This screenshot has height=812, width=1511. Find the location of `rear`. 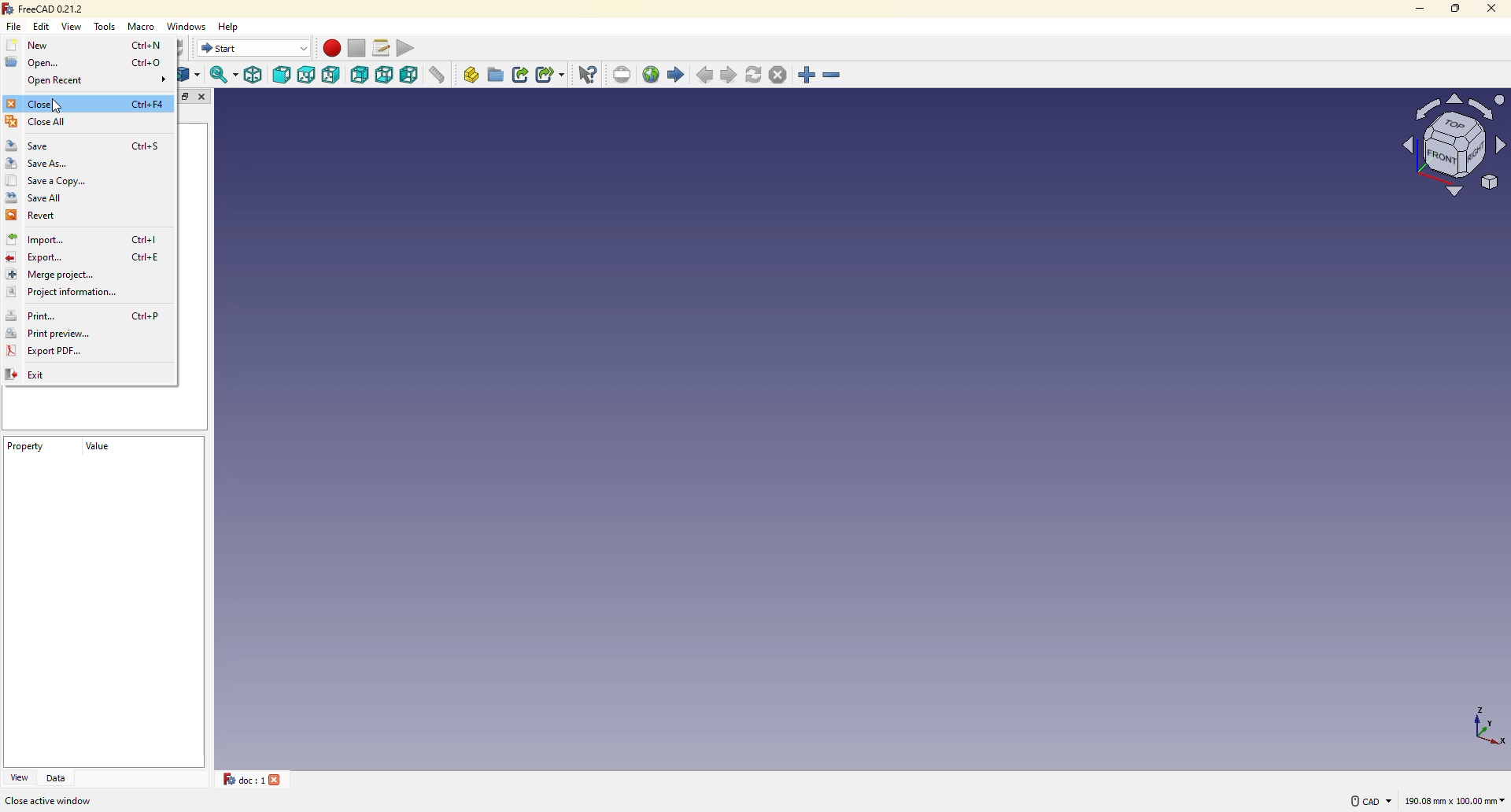

rear is located at coordinates (360, 74).